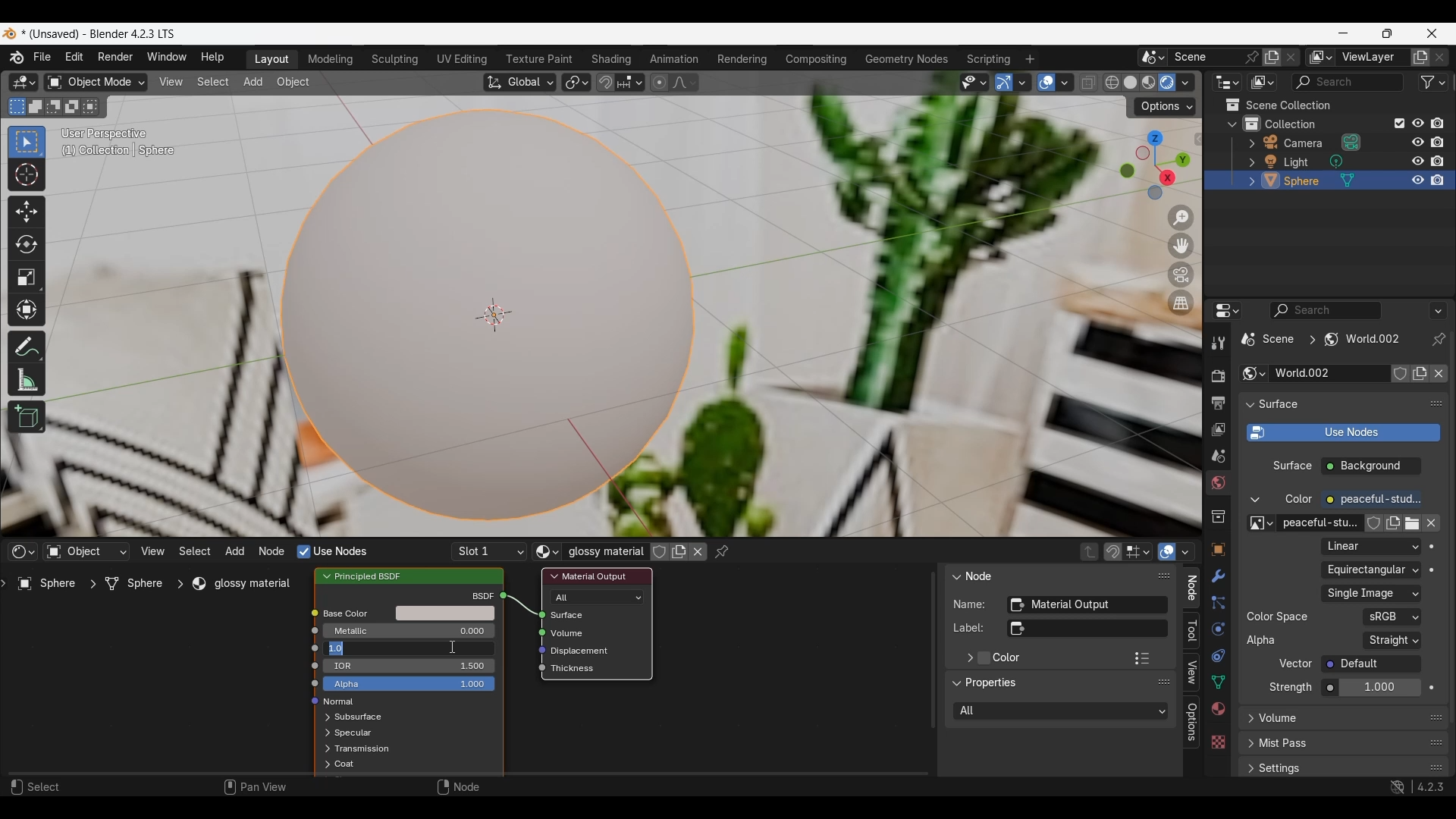  What do you see at coordinates (1437, 742) in the screenshot?
I see `Float mist pass` at bounding box center [1437, 742].